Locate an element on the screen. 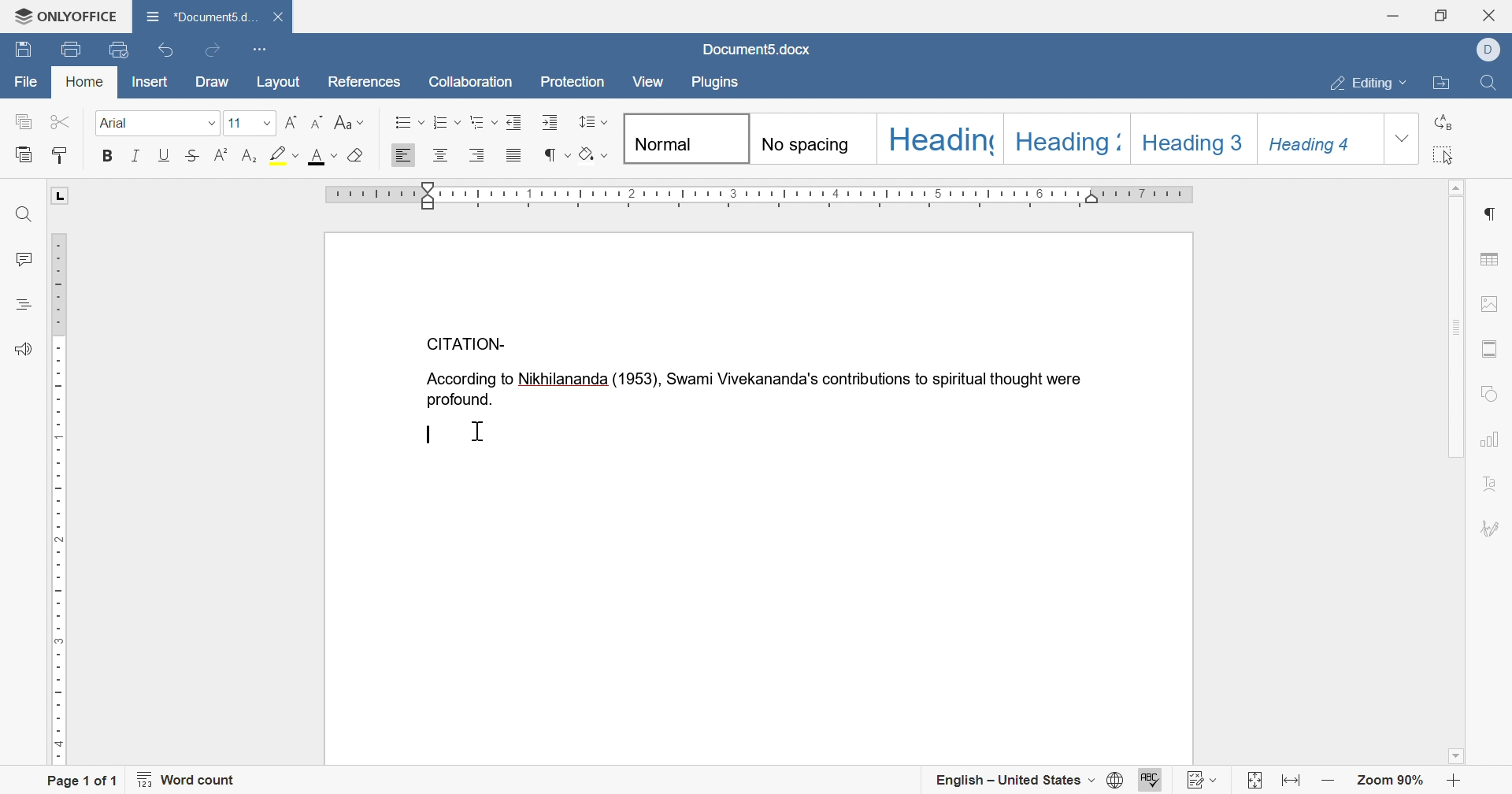 Image resolution: width=1512 pixels, height=794 pixels. text art settings is located at coordinates (1492, 485).